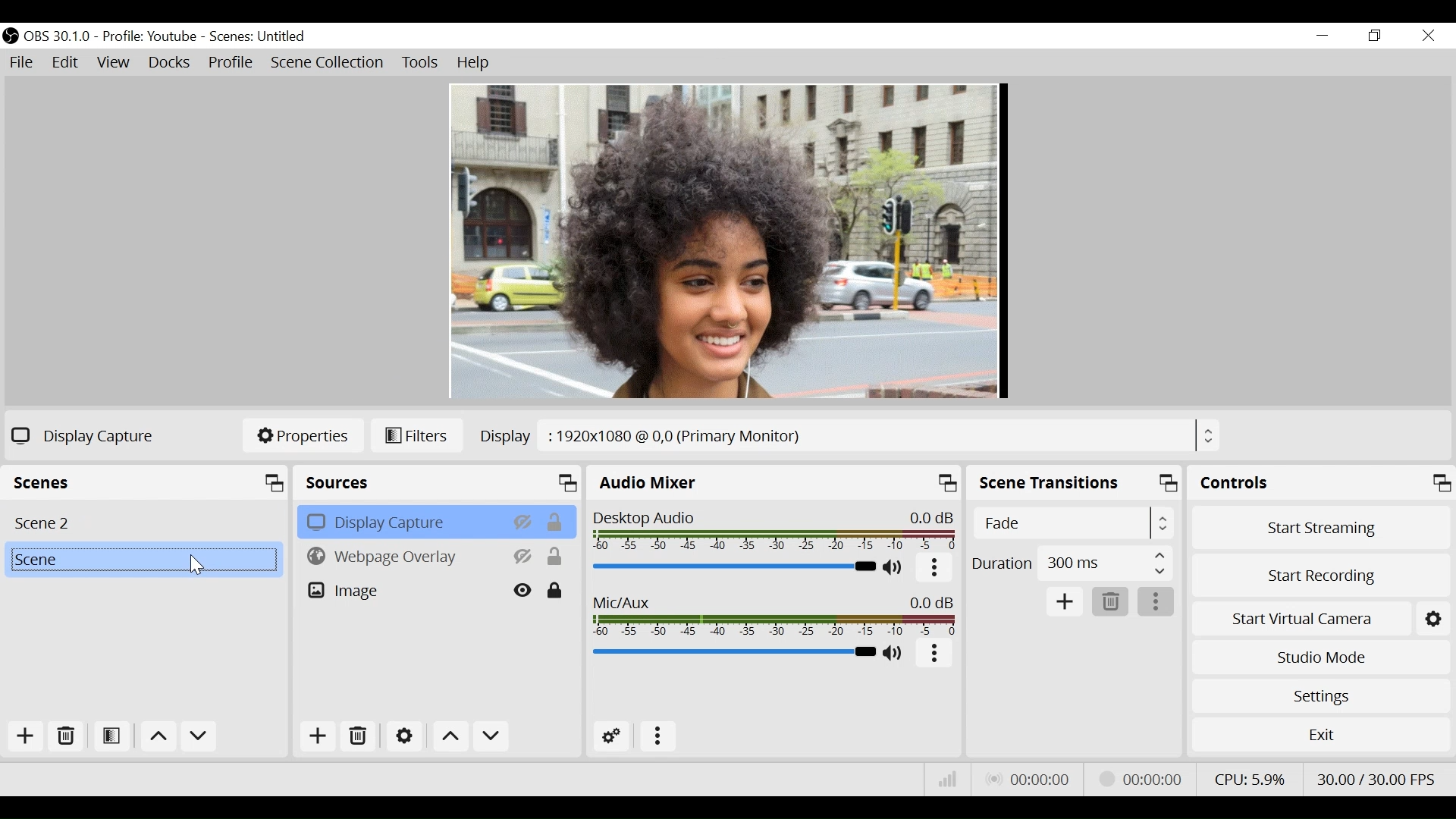 The height and width of the screenshot is (819, 1456). I want to click on Live Status, so click(1031, 777).